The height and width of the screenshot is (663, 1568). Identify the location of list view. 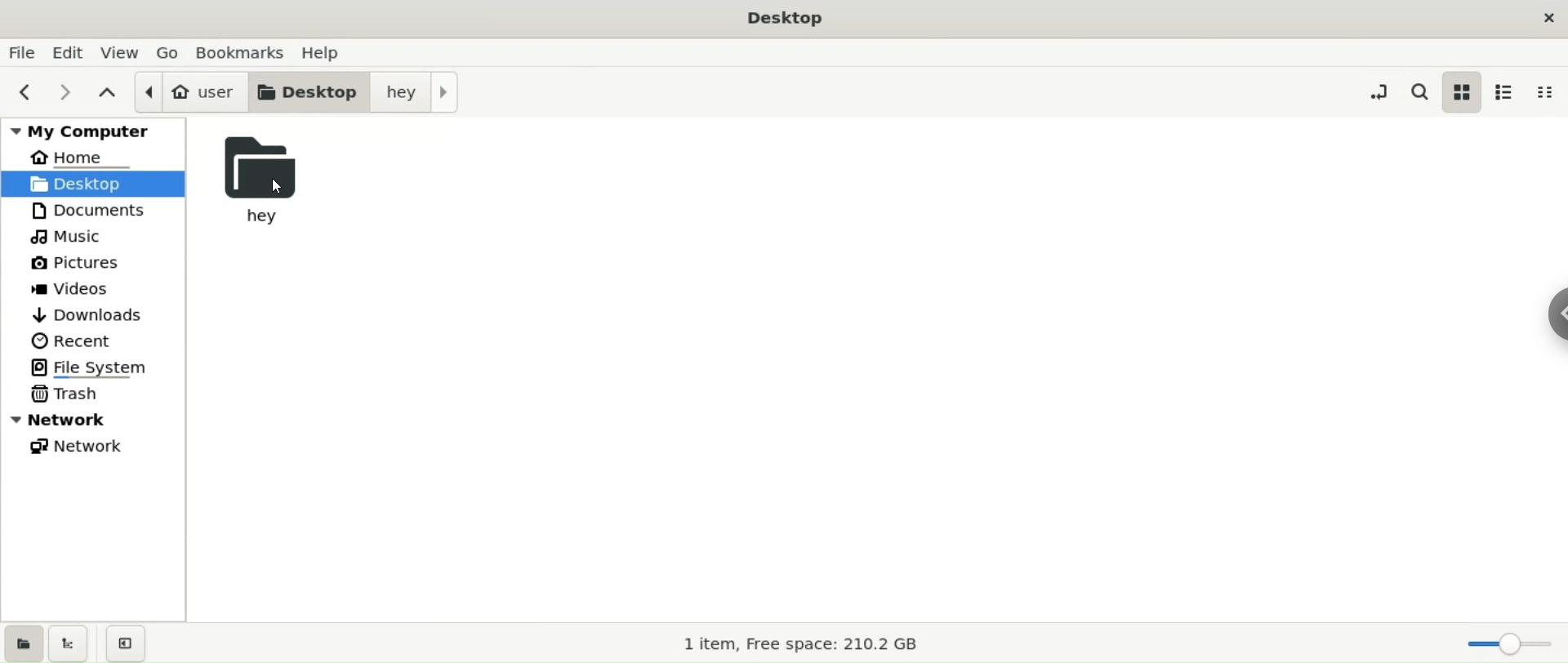
(1508, 92).